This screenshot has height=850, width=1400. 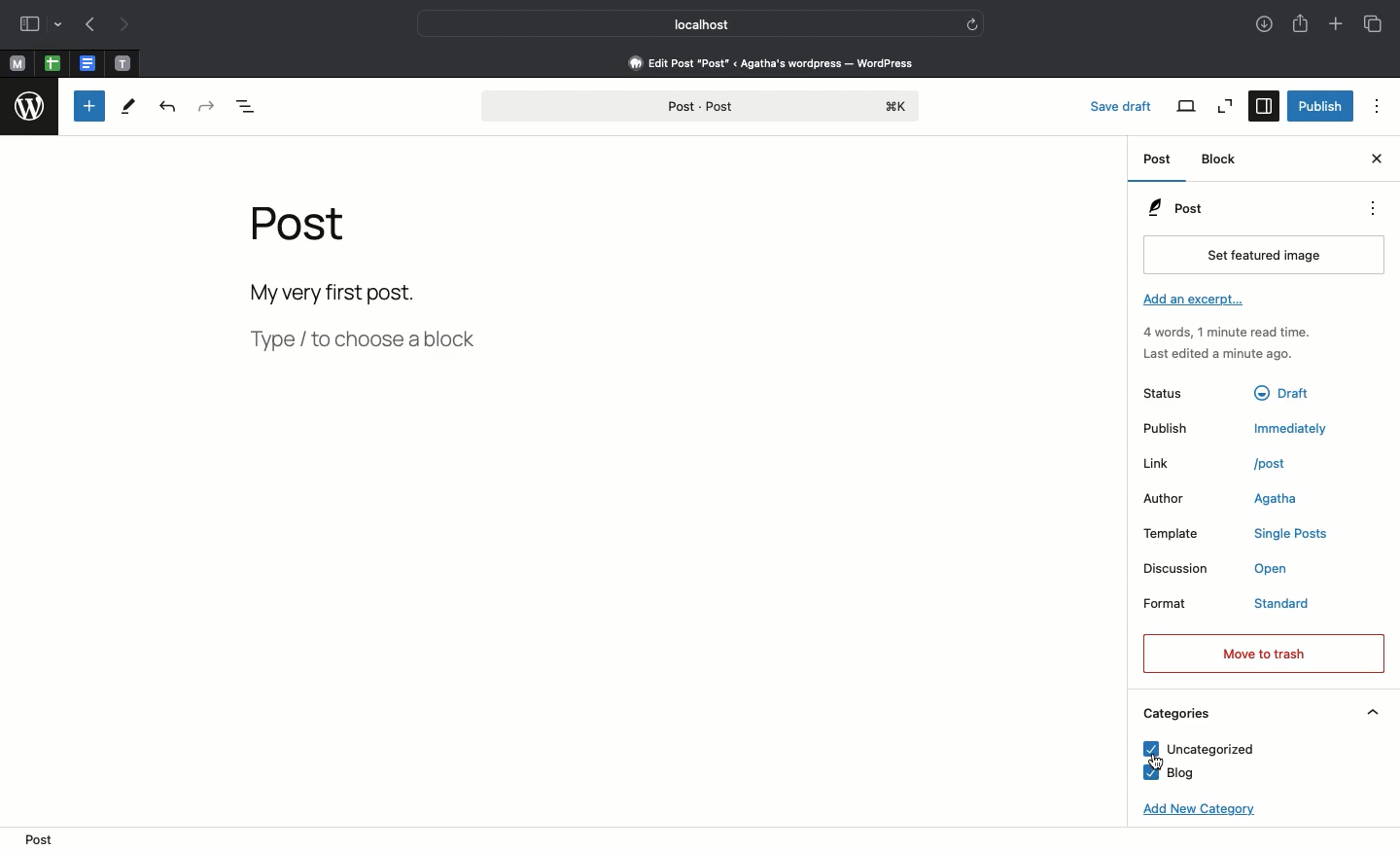 What do you see at coordinates (30, 26) in the screenshot?
I see `Sidebare` at bounding box center [30, 26].